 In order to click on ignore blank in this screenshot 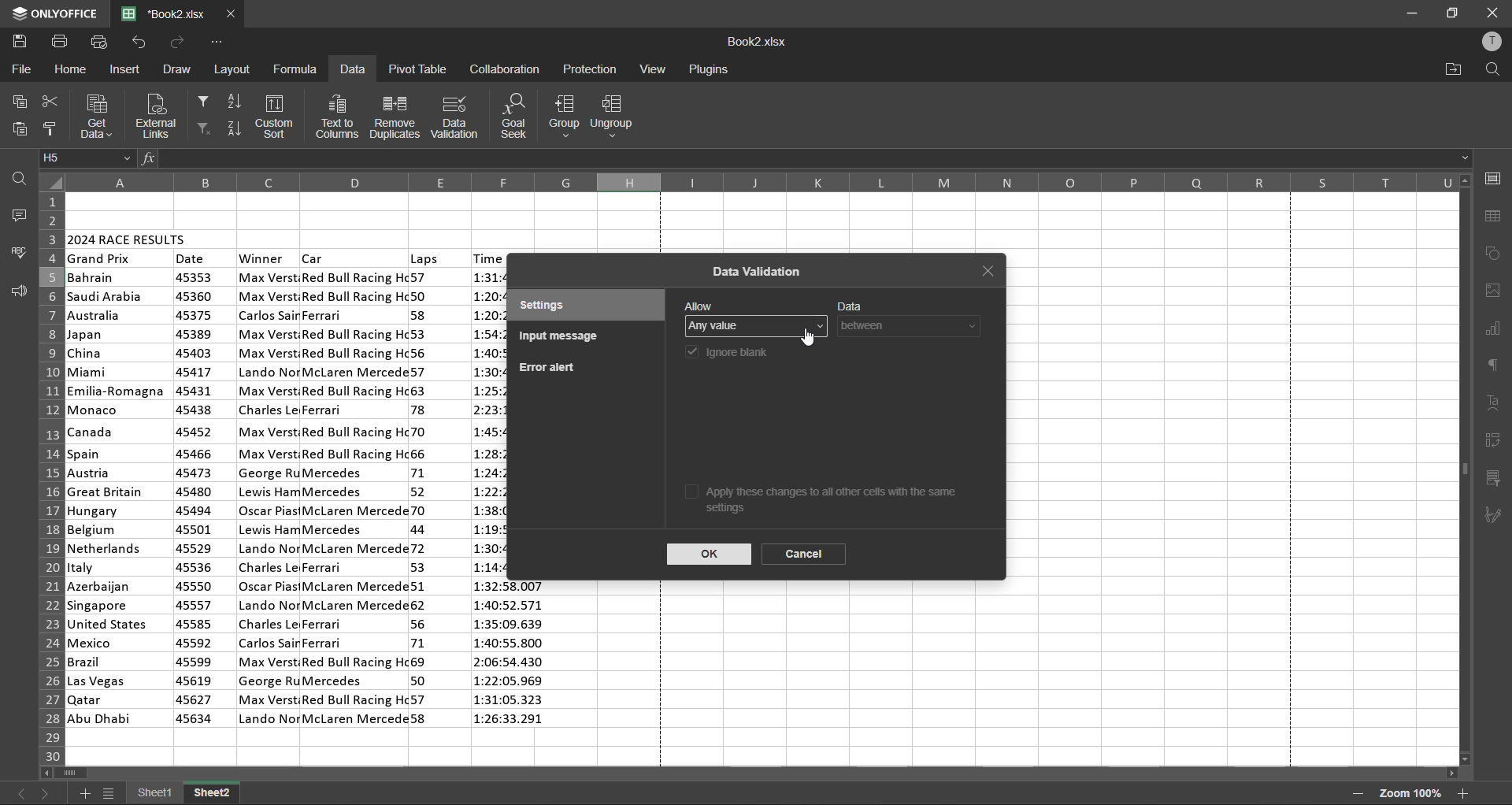, I will do `click(739, 352)`.